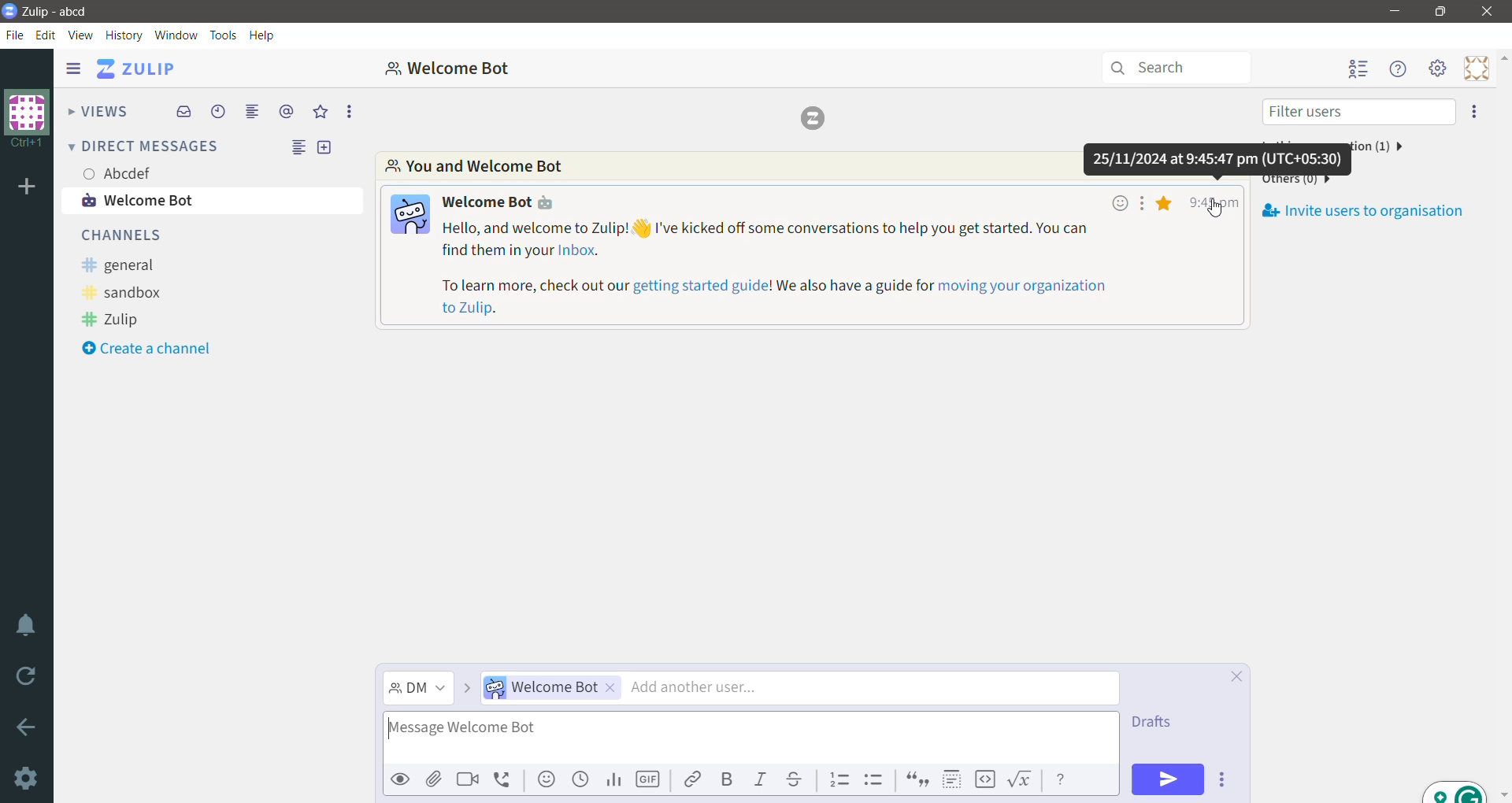  Describe the element at coordinates (1437, 71) in the screenshot. I see `Main Menu` at that location.